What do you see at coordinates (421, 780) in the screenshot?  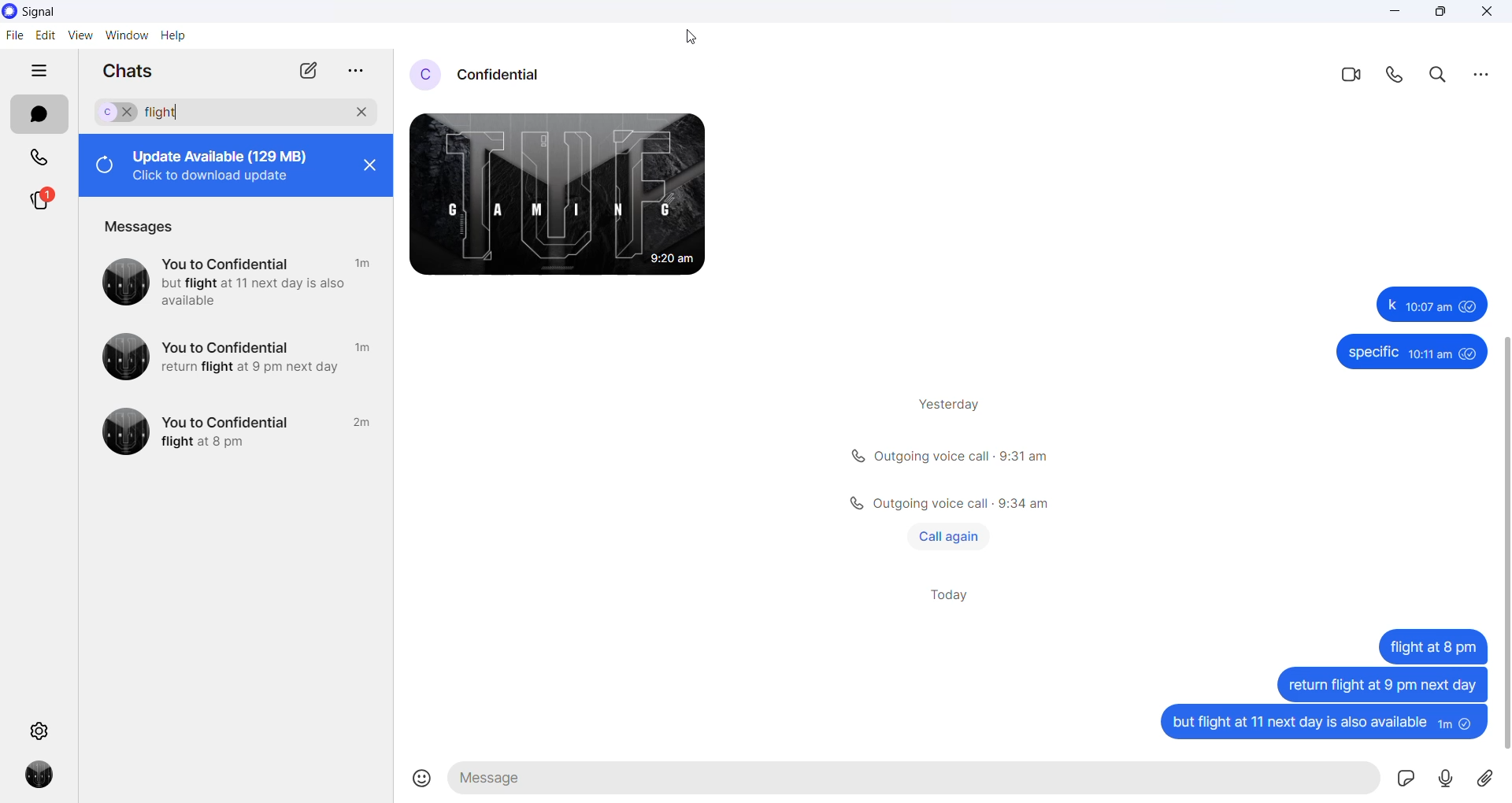 I see `emojis` at bounding box center [421, 780].